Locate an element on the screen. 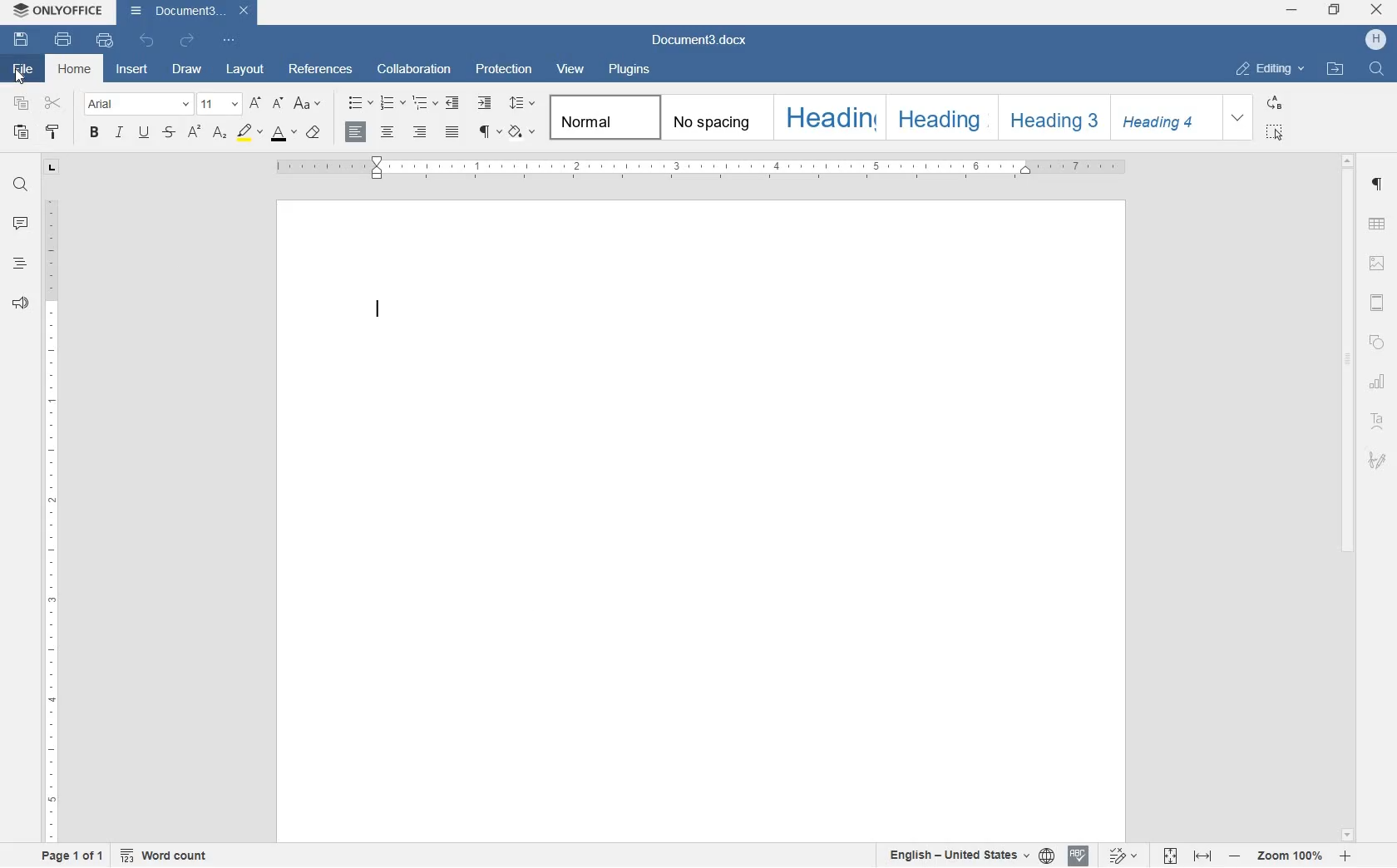  plugins is located at coordinates (630, 69).